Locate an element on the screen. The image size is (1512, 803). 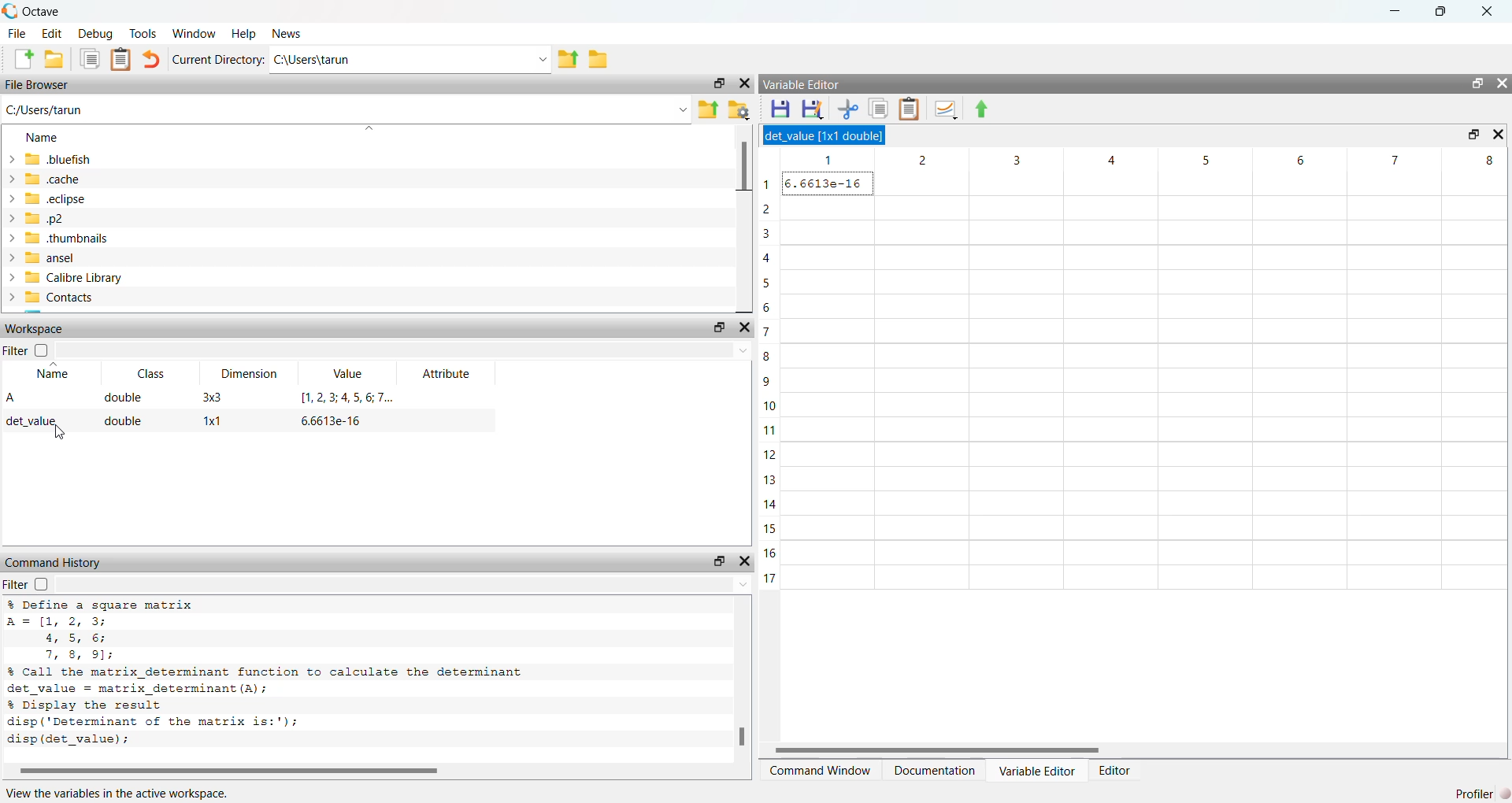
ansel is located at coordinates (44, 258).